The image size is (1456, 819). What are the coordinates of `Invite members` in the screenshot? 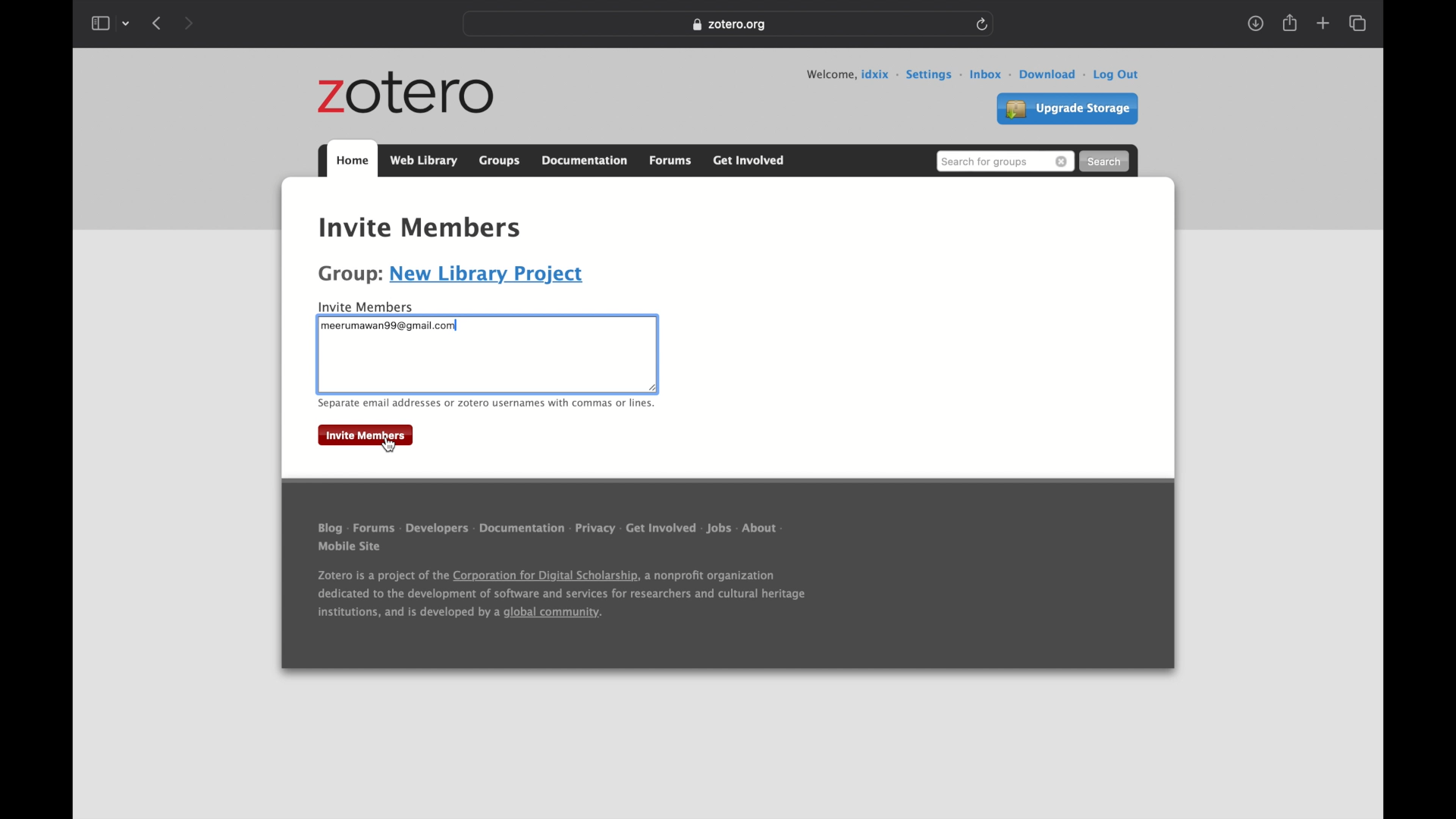 It's located at (419, 228).